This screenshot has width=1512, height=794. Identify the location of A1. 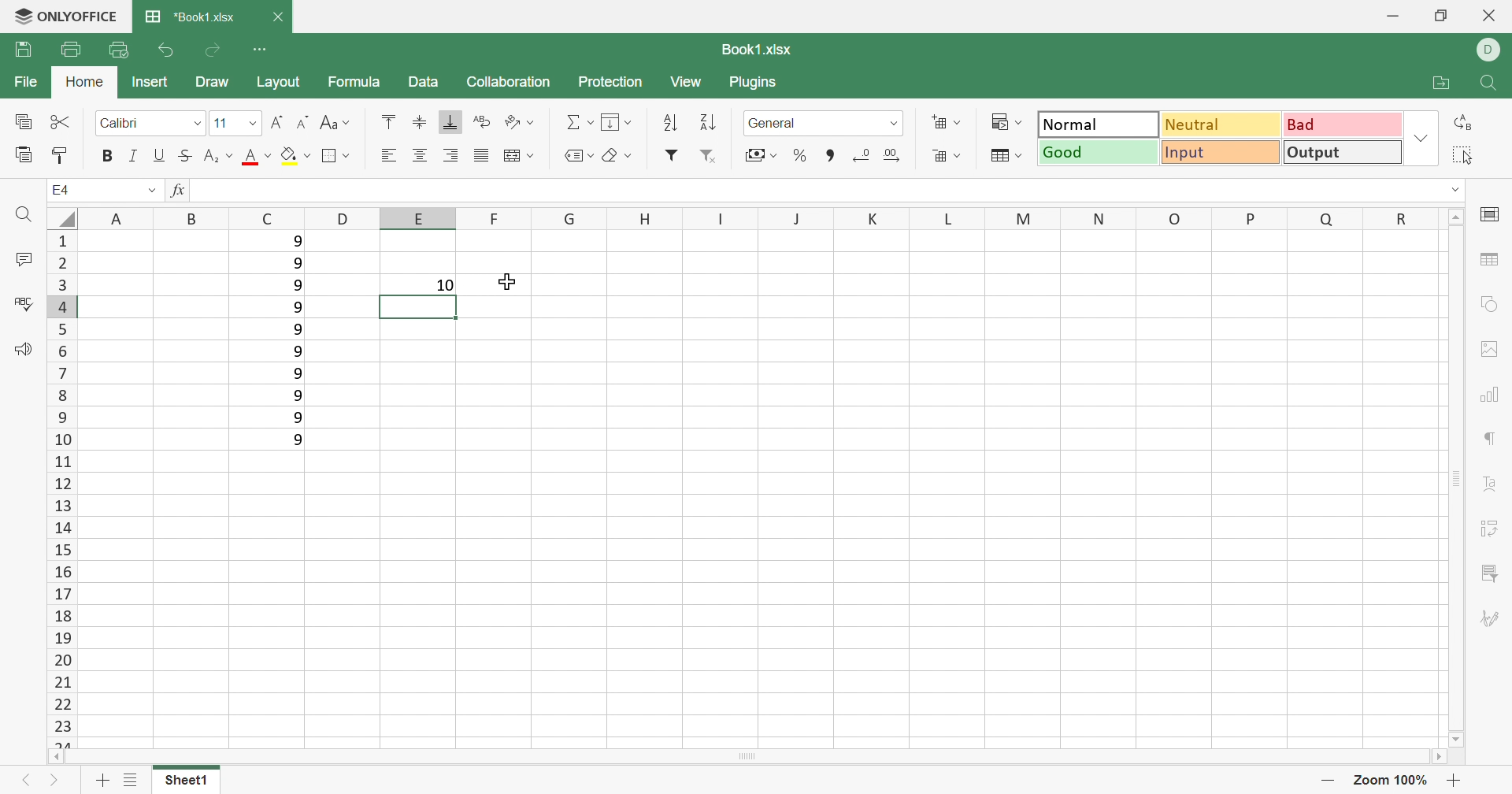
(61, 191).